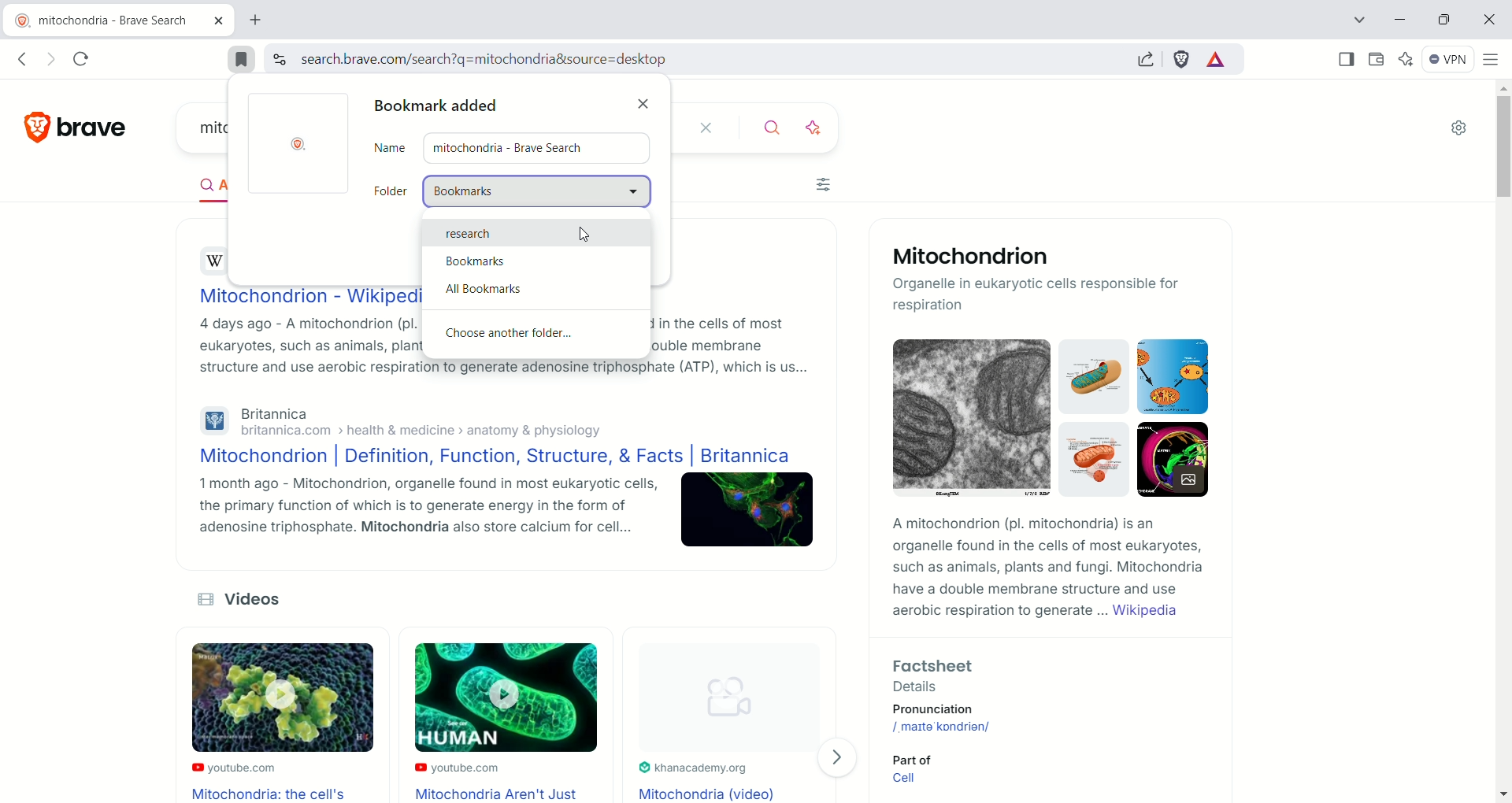 This screenshot has width=1512, height=803. Describe the element at coordinates (1488, 21) in the screenshot. I see `close` at that location.